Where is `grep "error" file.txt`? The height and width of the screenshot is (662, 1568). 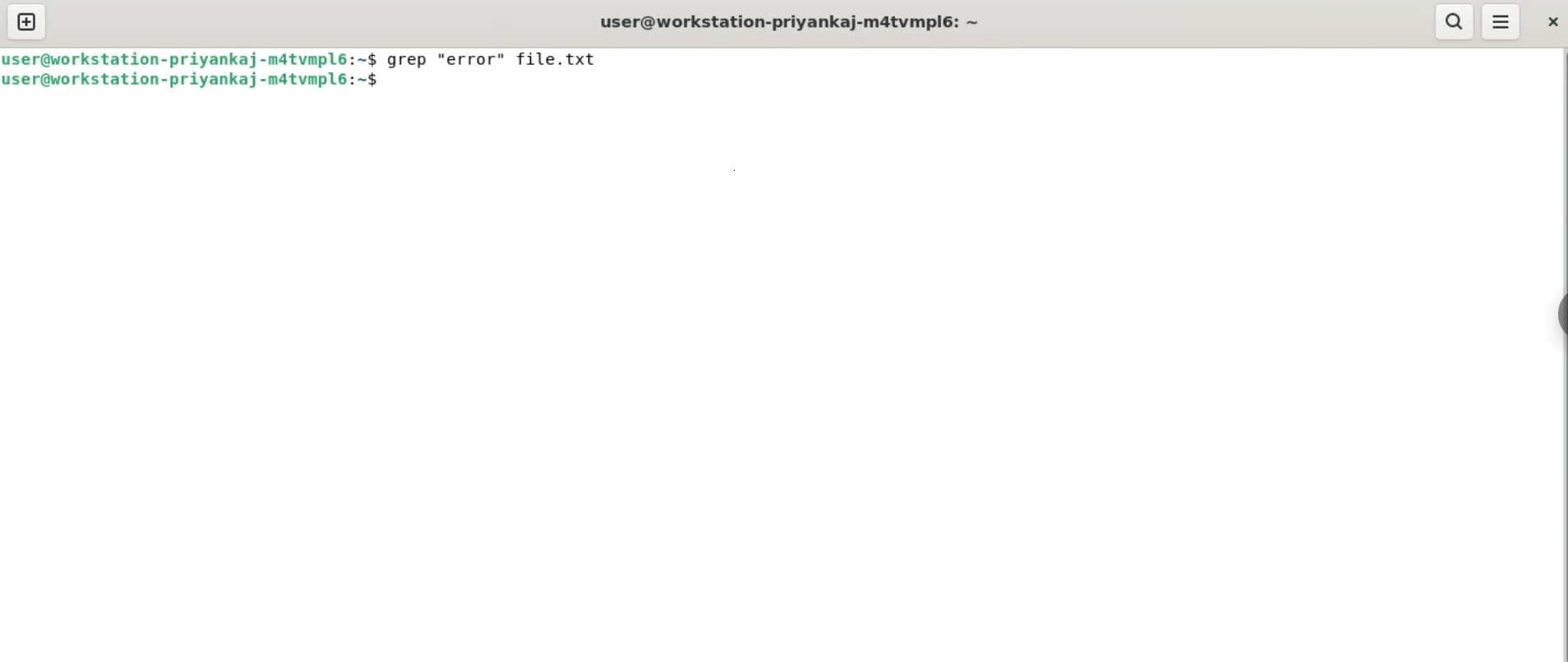 grep "error" file.txt is located at coordinates (501, 59).